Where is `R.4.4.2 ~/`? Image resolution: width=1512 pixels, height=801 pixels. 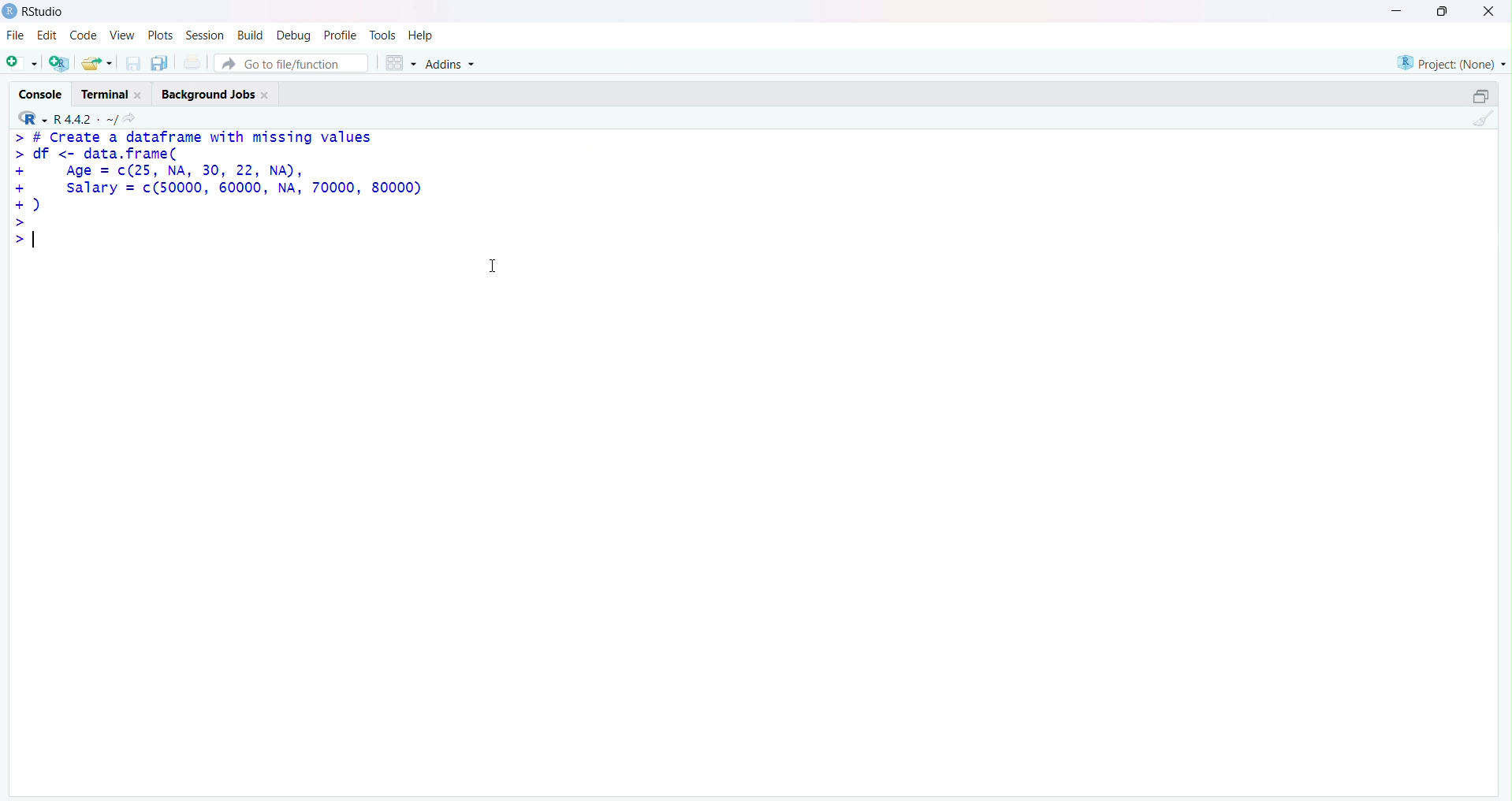
R.4.4.2 ~/ is located at coordinates (85, 116).